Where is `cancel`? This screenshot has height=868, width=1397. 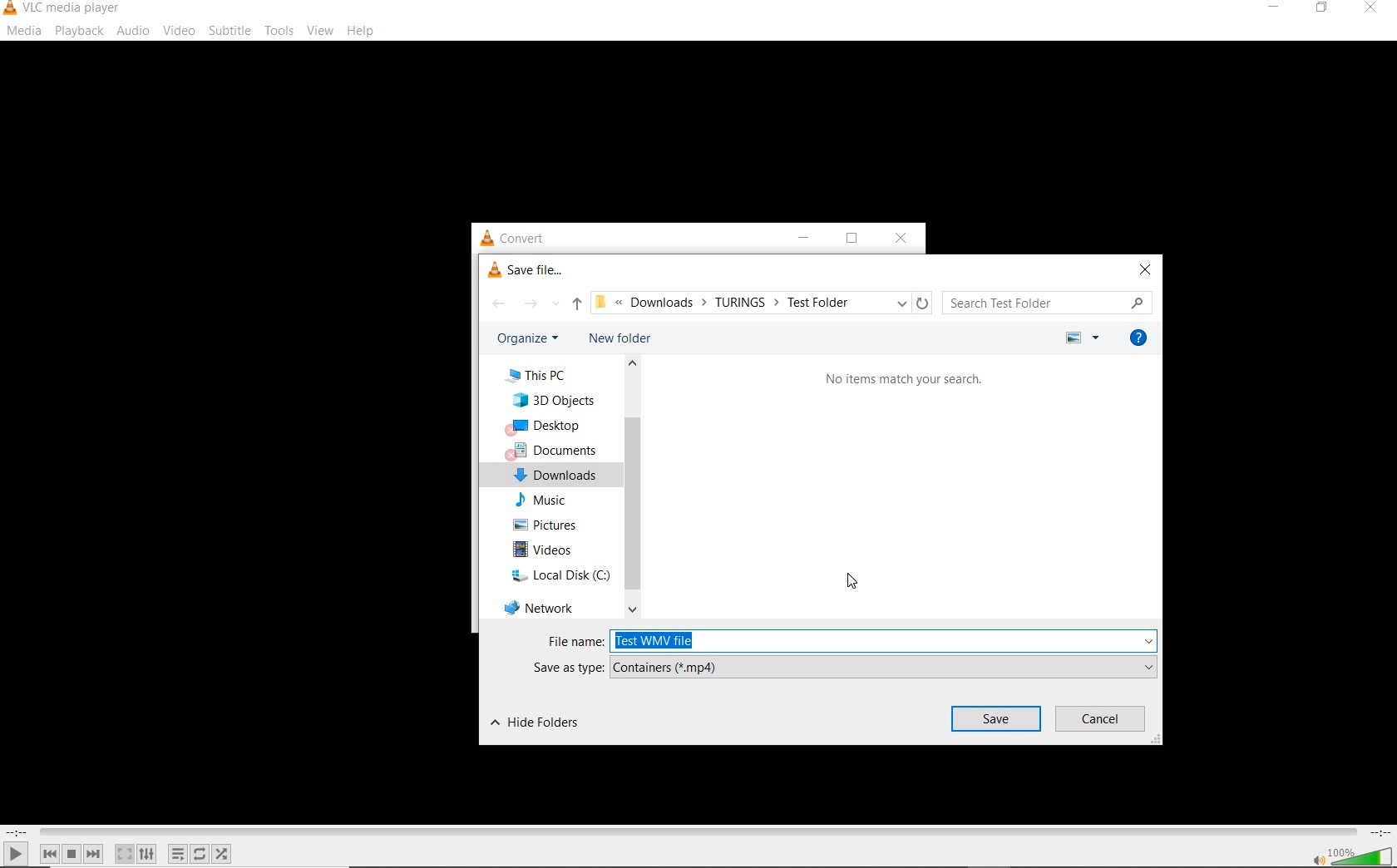
cancel is located at coordinates (1101, 719).